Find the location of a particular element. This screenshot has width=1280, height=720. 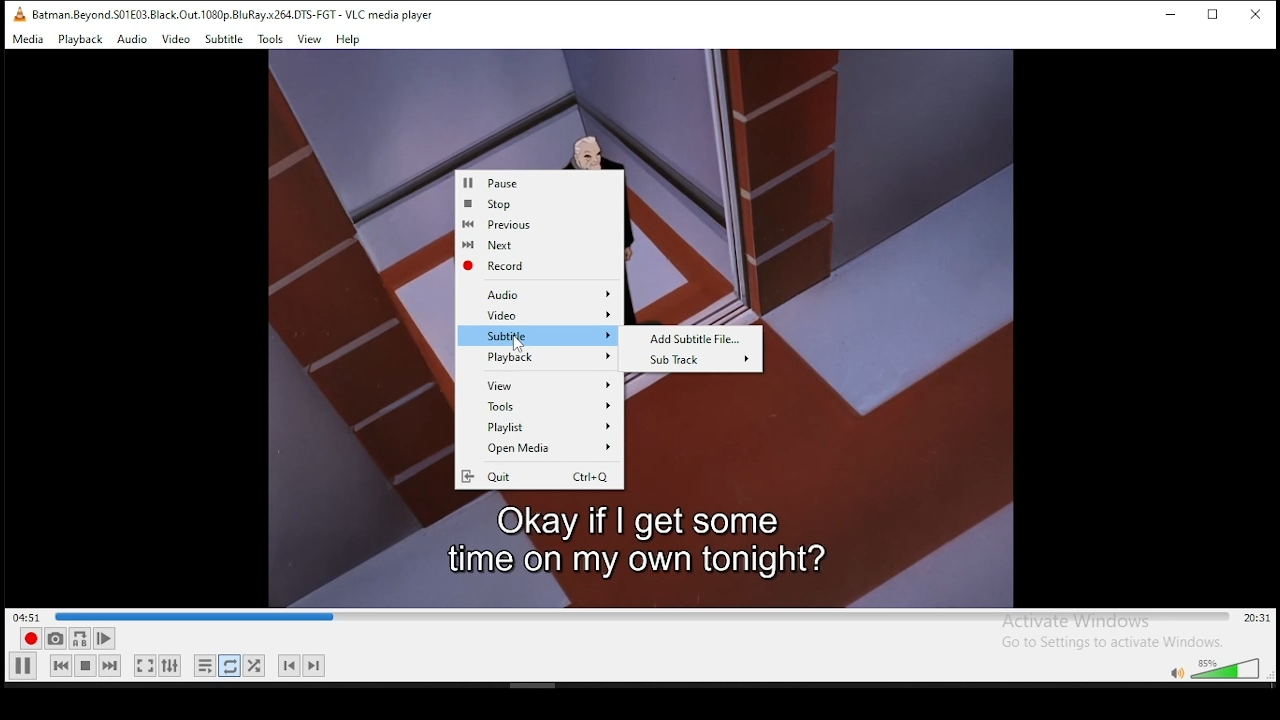

View  is located at coordinates (544, 386).